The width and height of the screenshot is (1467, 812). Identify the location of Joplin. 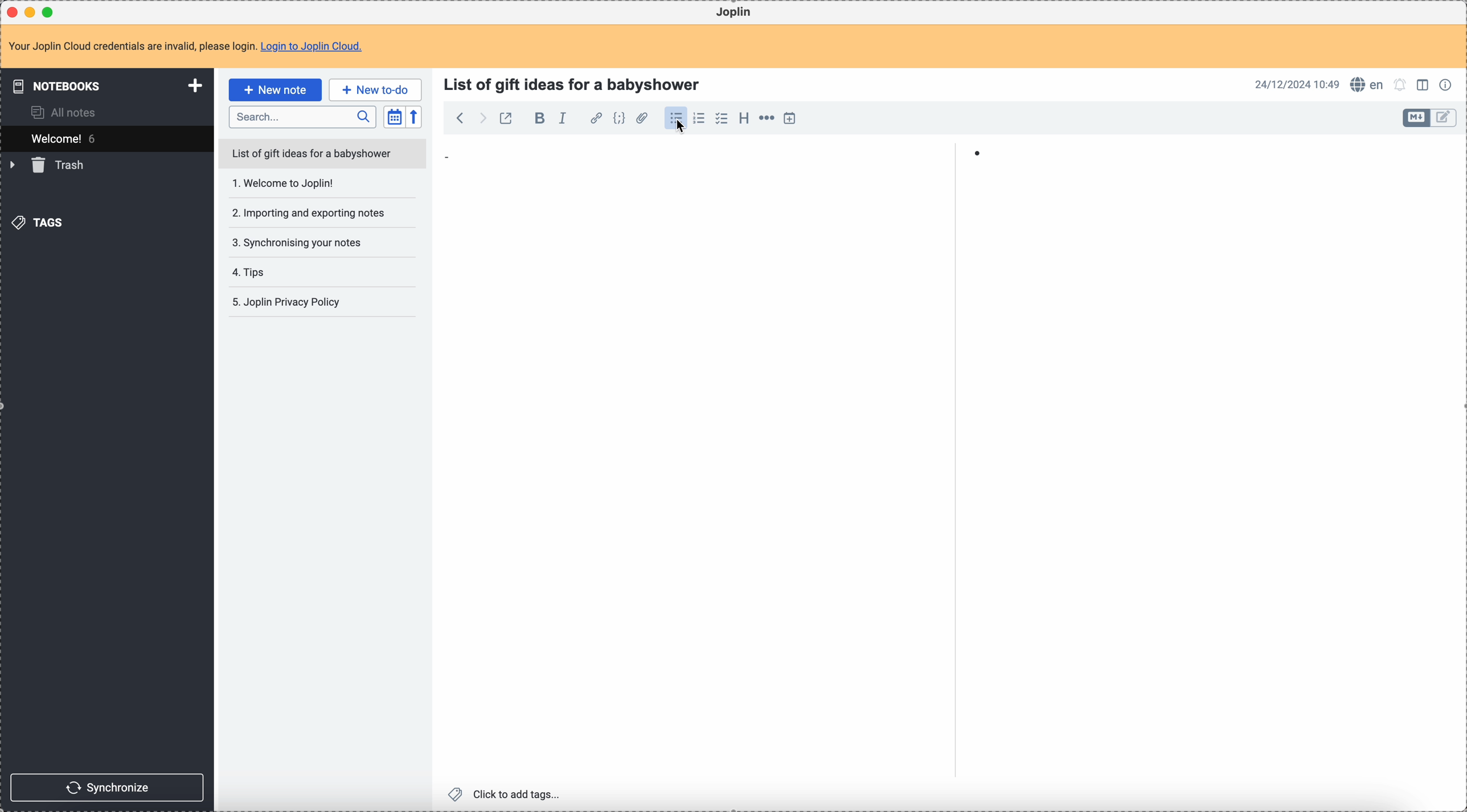
(736, 13).